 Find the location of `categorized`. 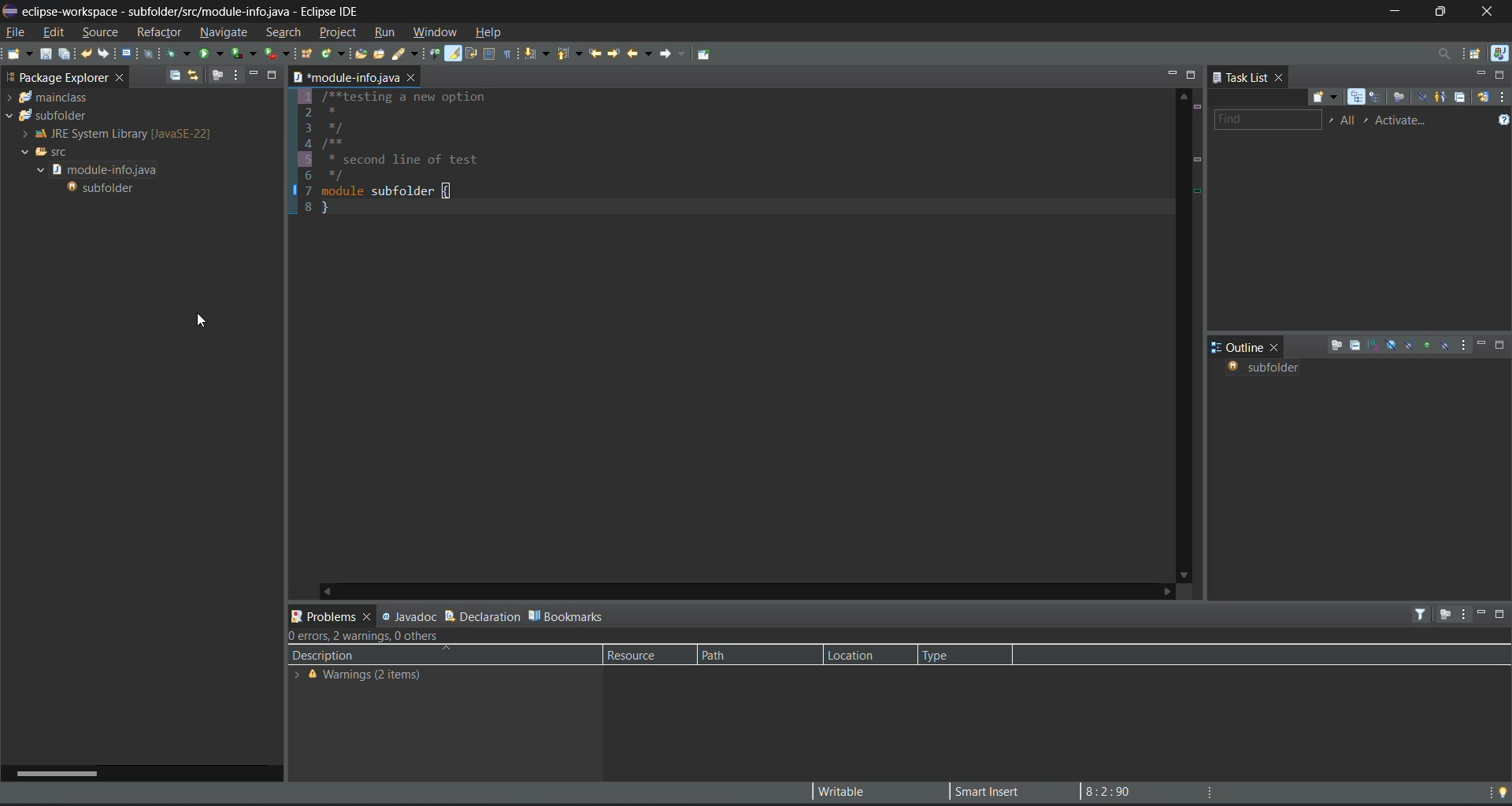

categorized is located at coordinates (1359, 98).